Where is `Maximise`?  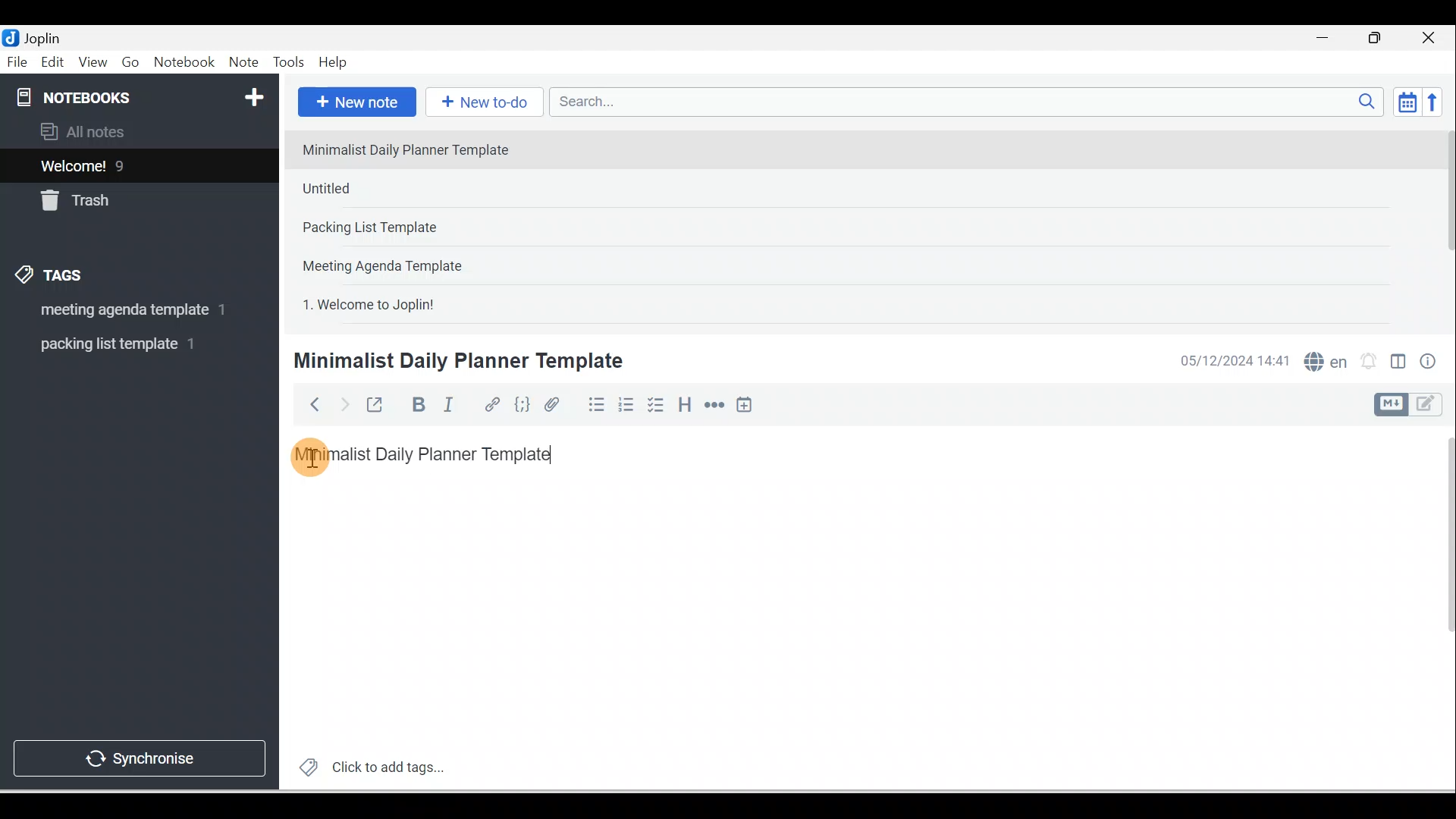
Maximise is located at coordinates (1380, 39).